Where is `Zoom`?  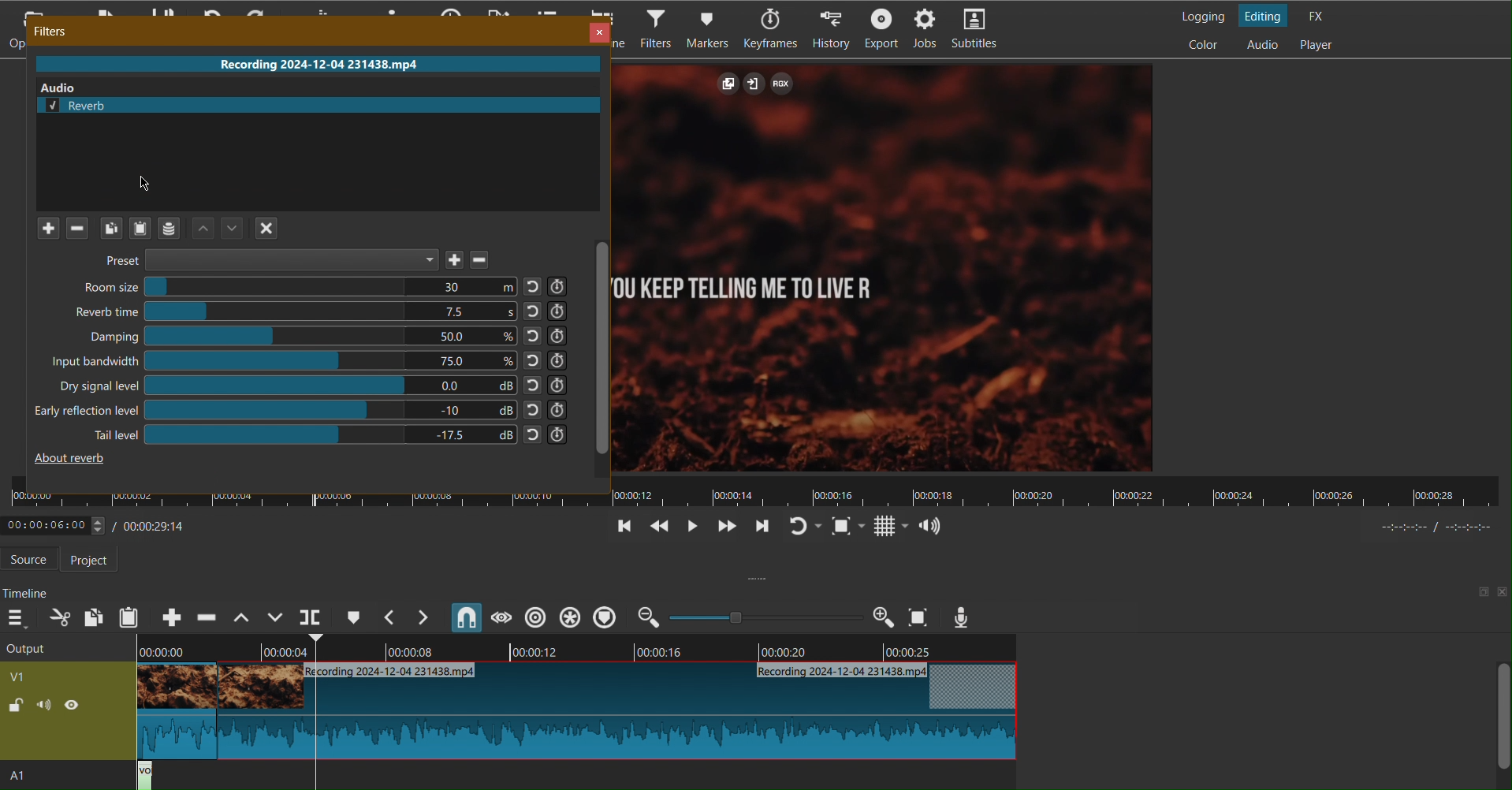
Zoom is located at coordinates (765, 617).